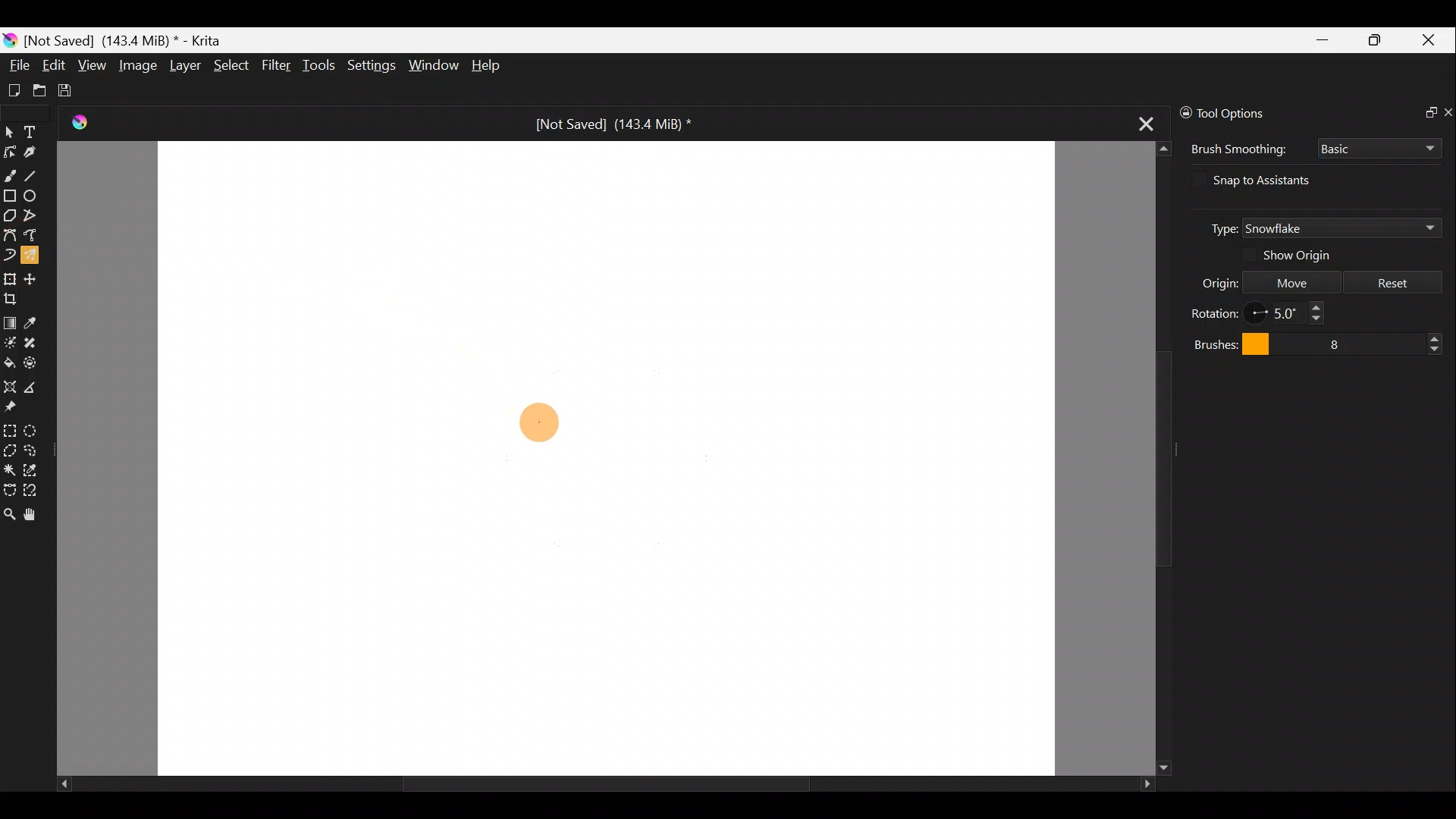  I want to click on Polygonal selection tool, so click(10, 450).